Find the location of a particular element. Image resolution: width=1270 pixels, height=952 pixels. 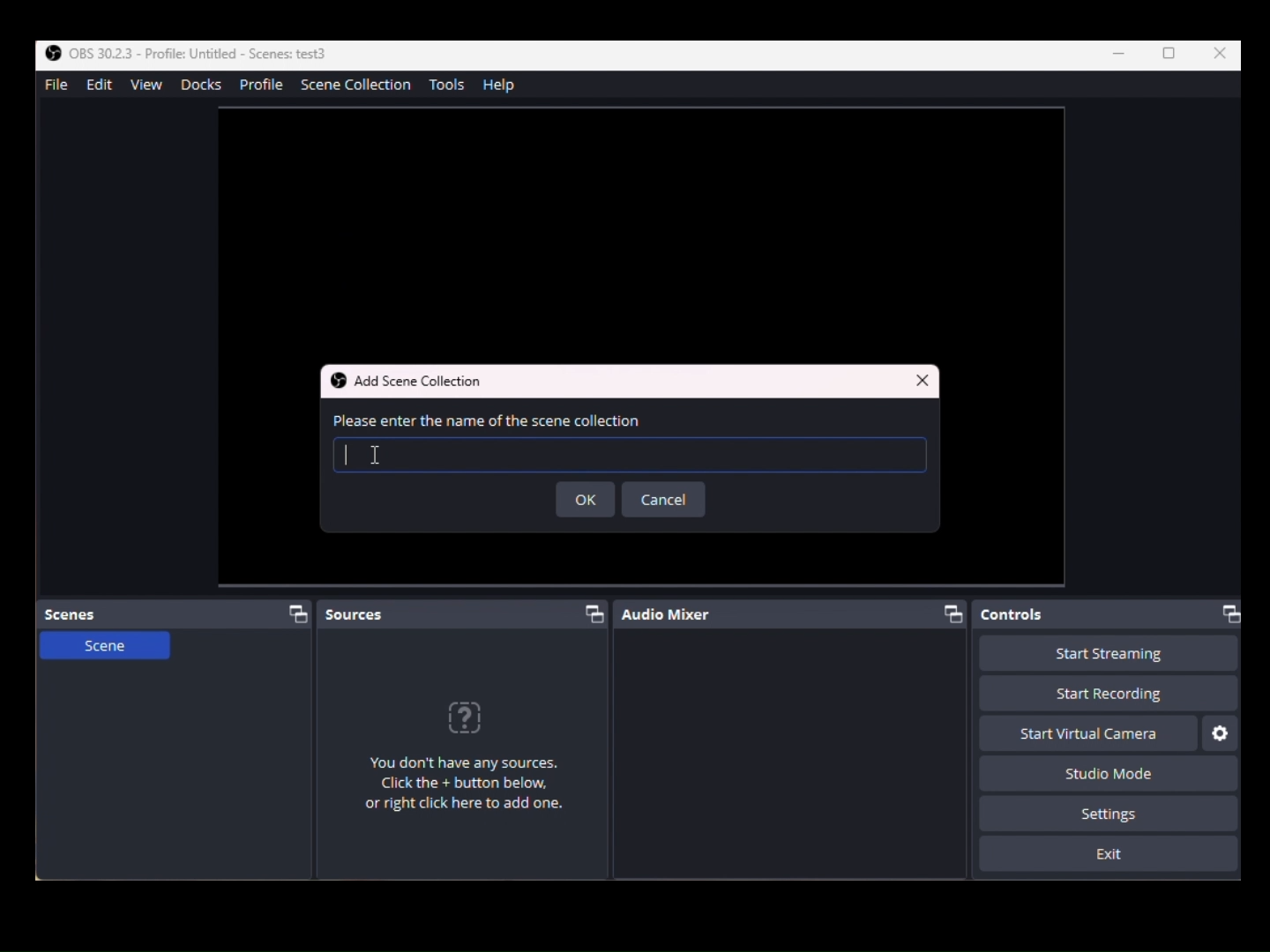

Box is located at coordinates (1170, 55).